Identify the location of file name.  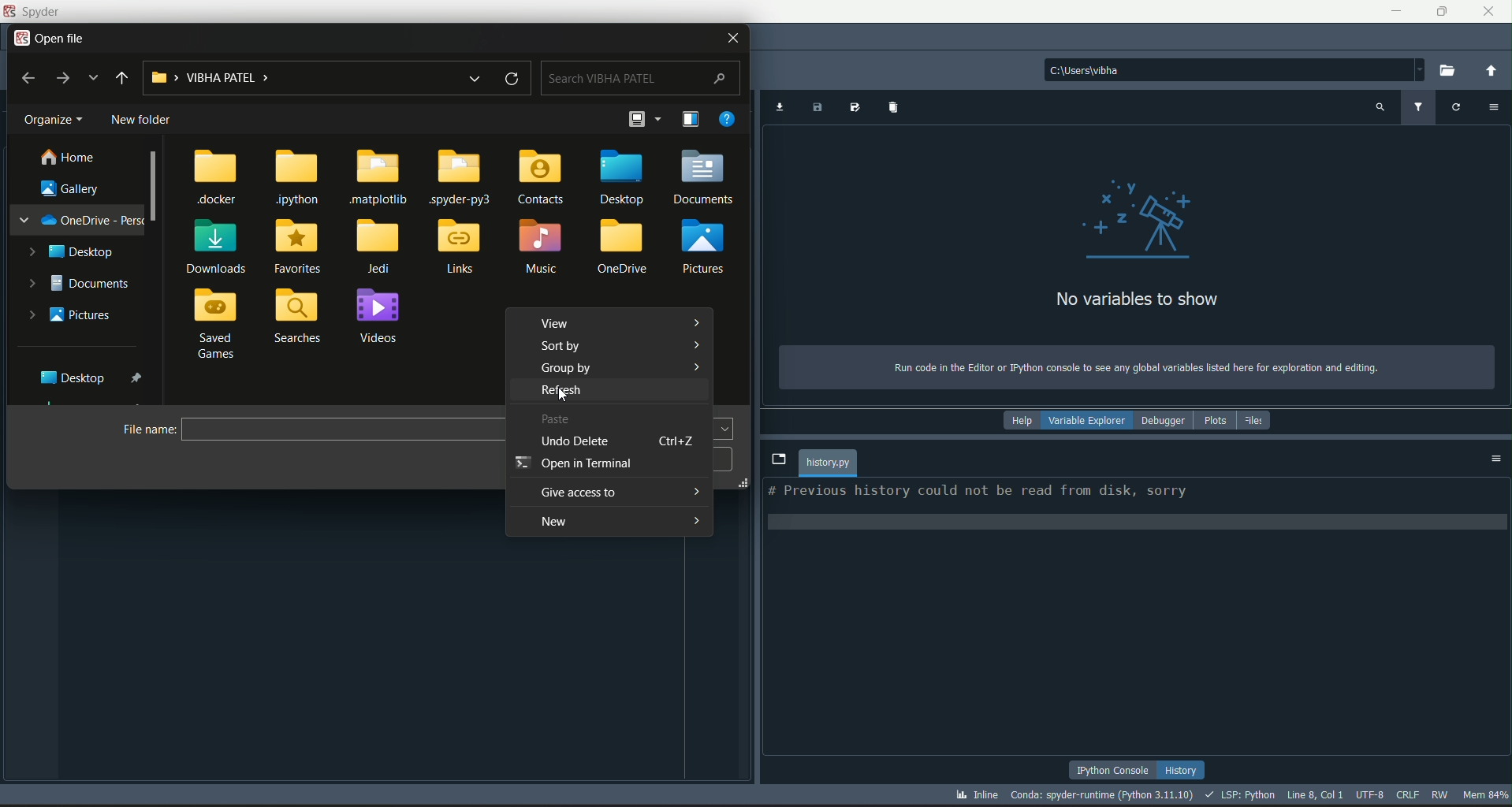
(150, 430).